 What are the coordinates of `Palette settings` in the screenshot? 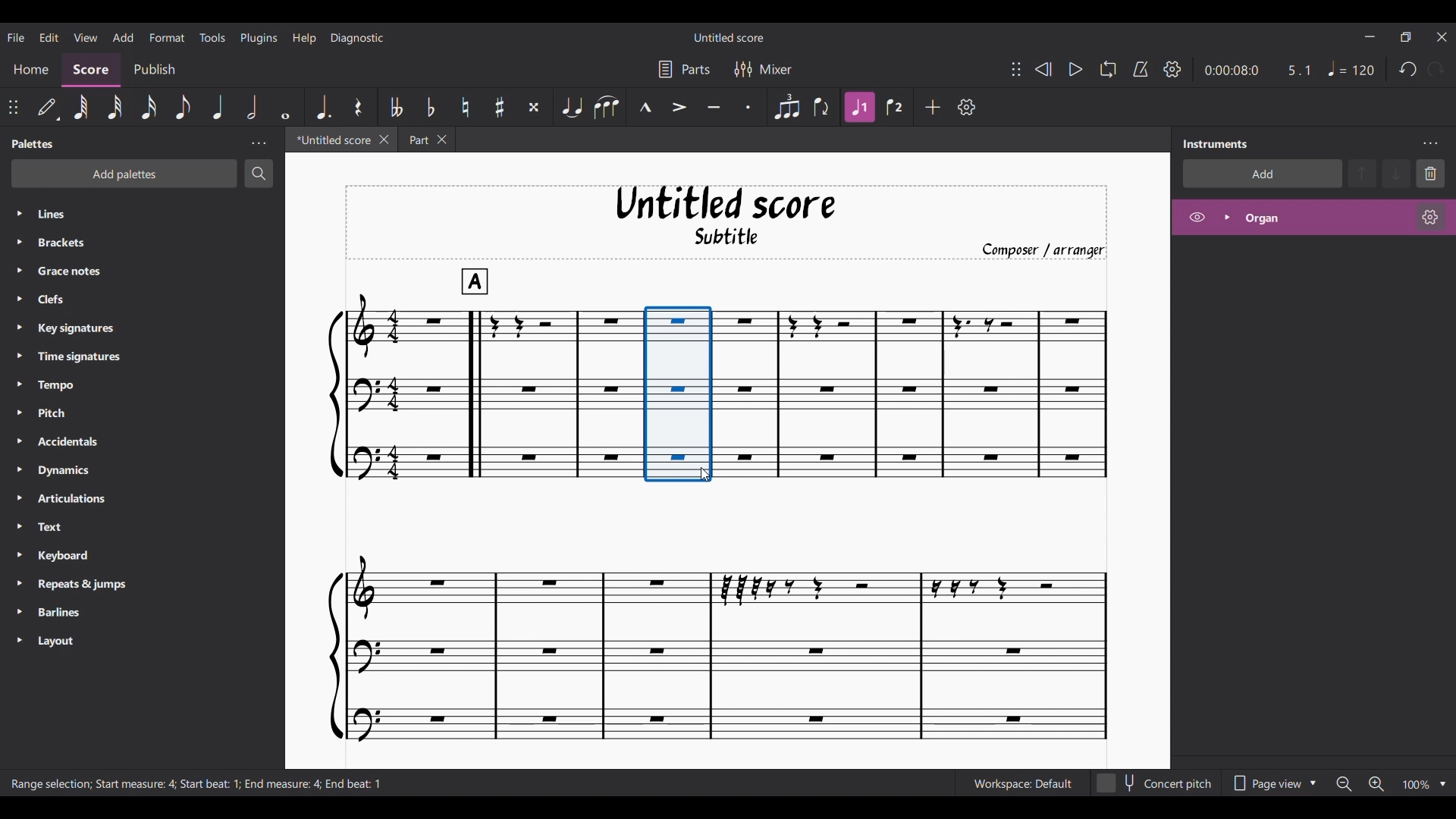 It's located at (258, 143).